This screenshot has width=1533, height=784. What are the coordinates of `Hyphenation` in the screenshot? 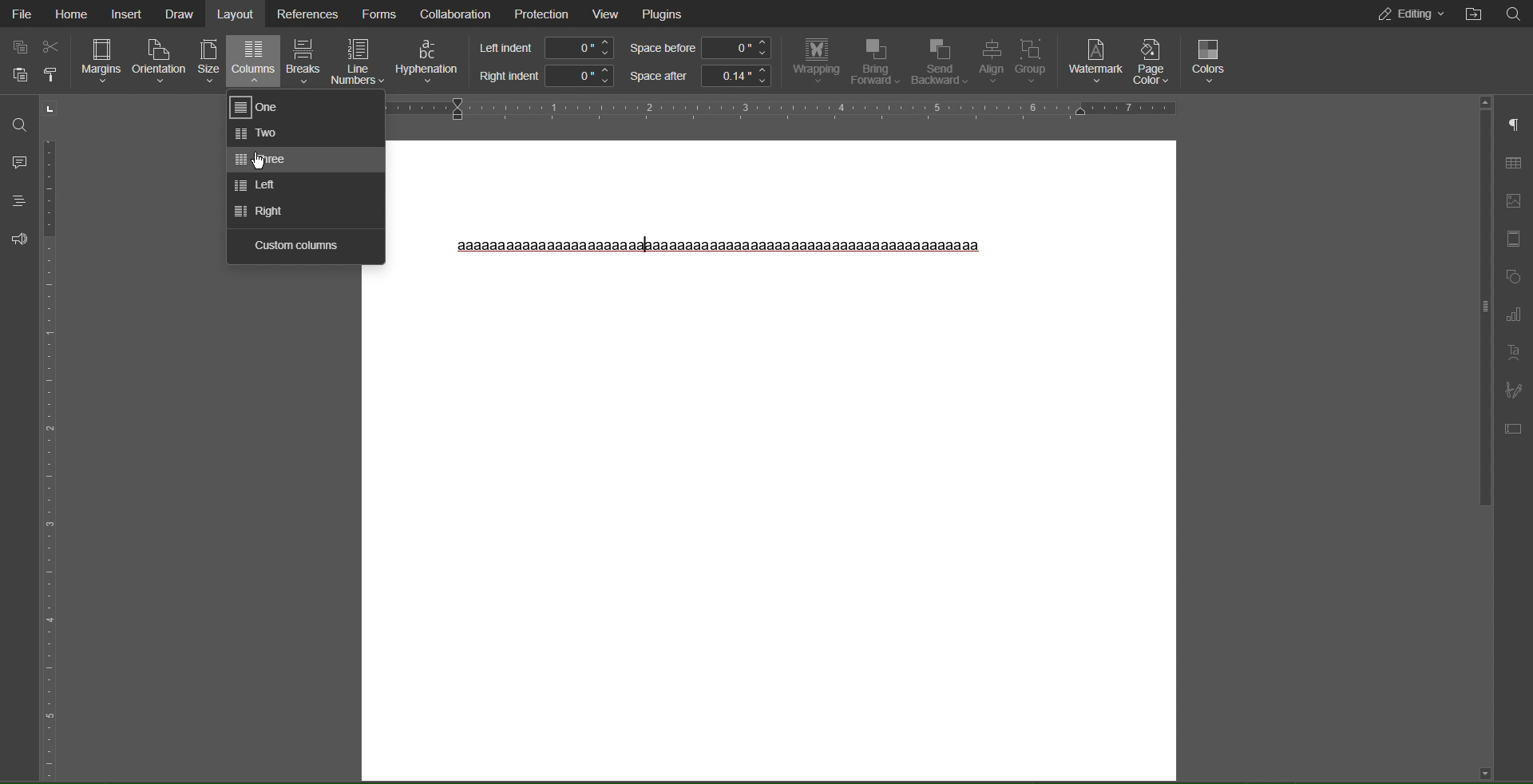 It's located at (428, 62).